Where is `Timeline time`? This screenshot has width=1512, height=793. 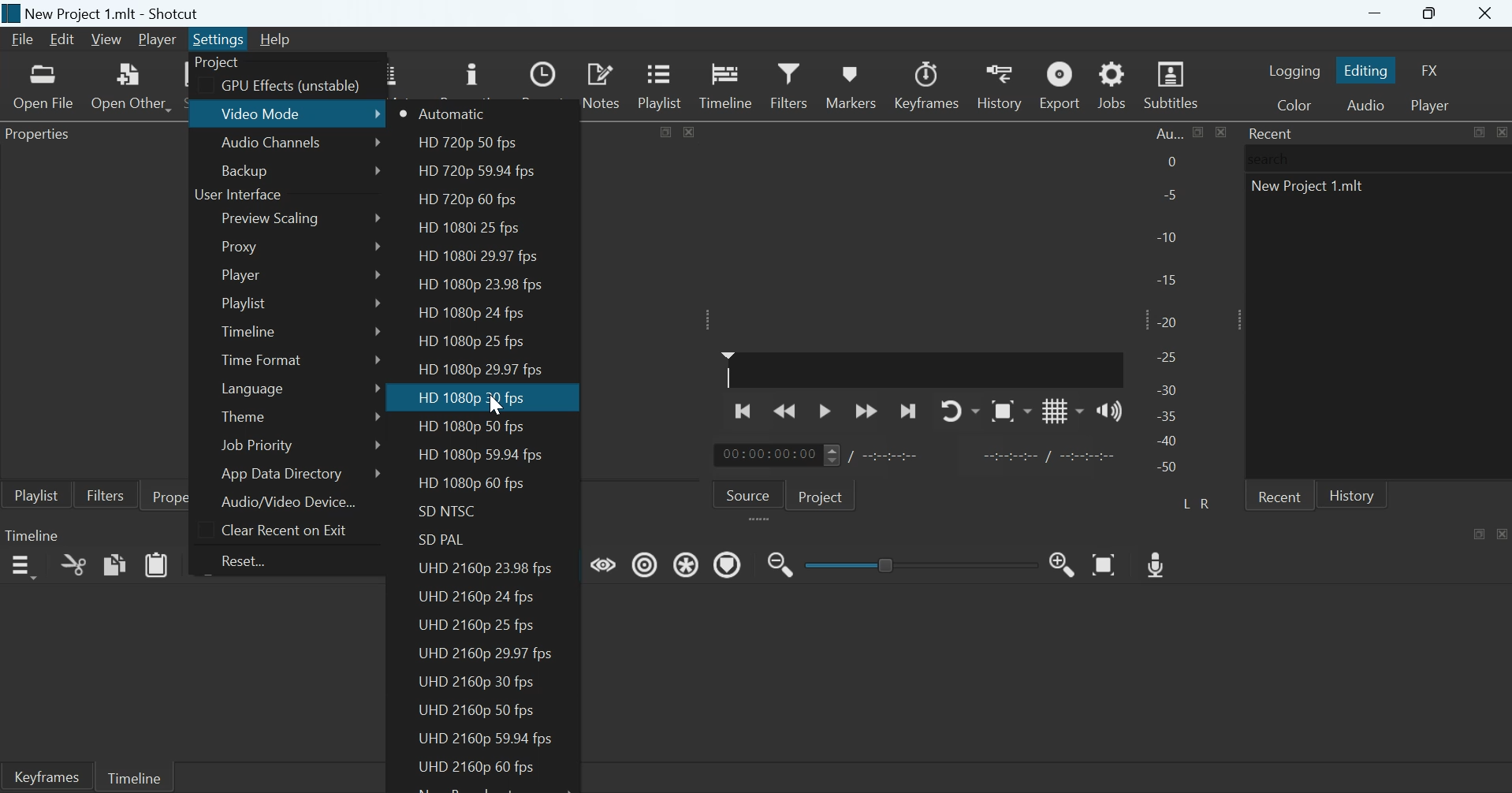 Timeline time is located at coordinates (766, 455).